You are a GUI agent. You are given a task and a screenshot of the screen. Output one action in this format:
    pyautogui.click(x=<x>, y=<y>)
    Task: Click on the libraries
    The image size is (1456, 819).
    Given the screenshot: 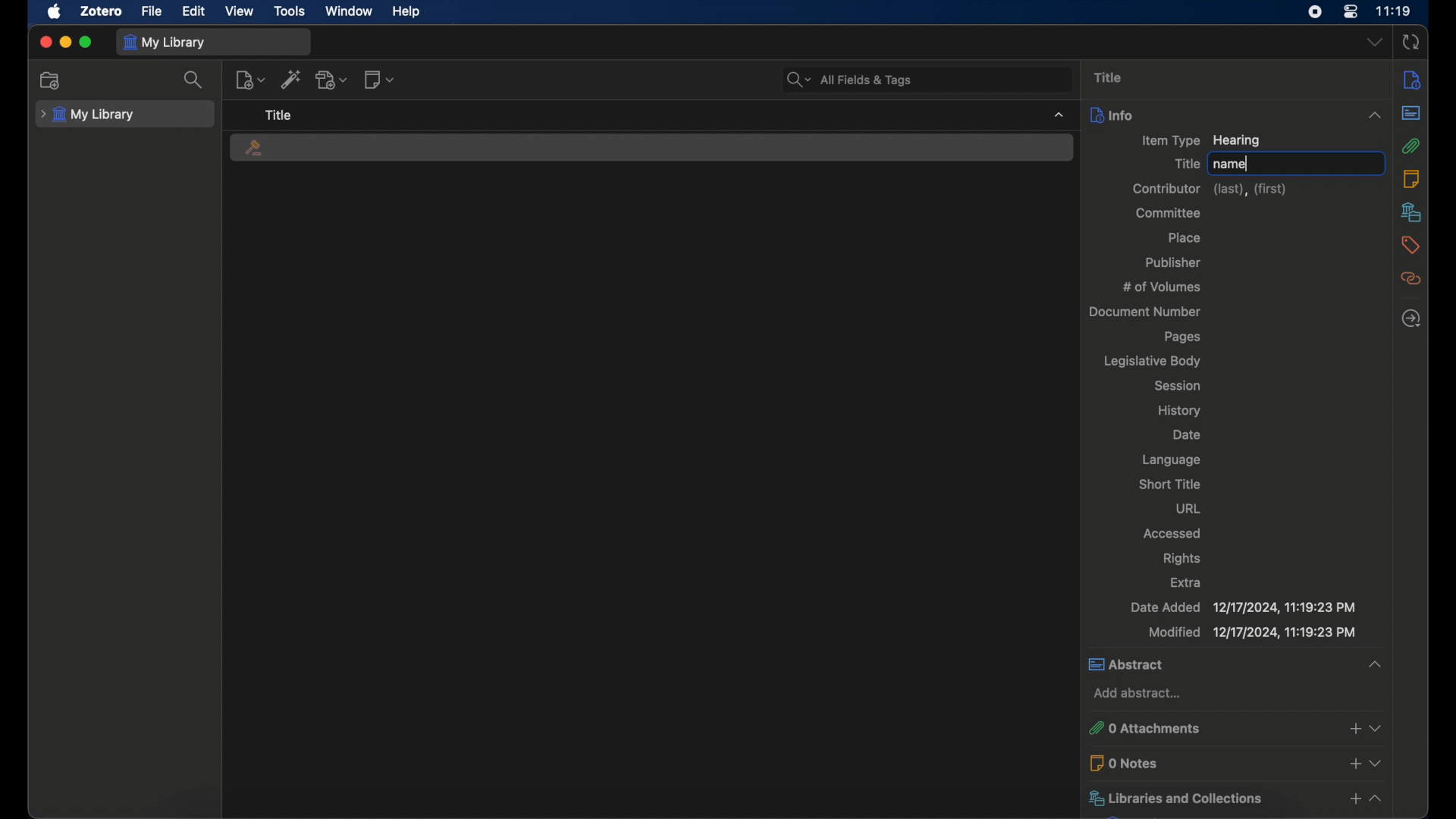 What is the action you would take?
    pyautogui.click(x=1235, y=798)
    